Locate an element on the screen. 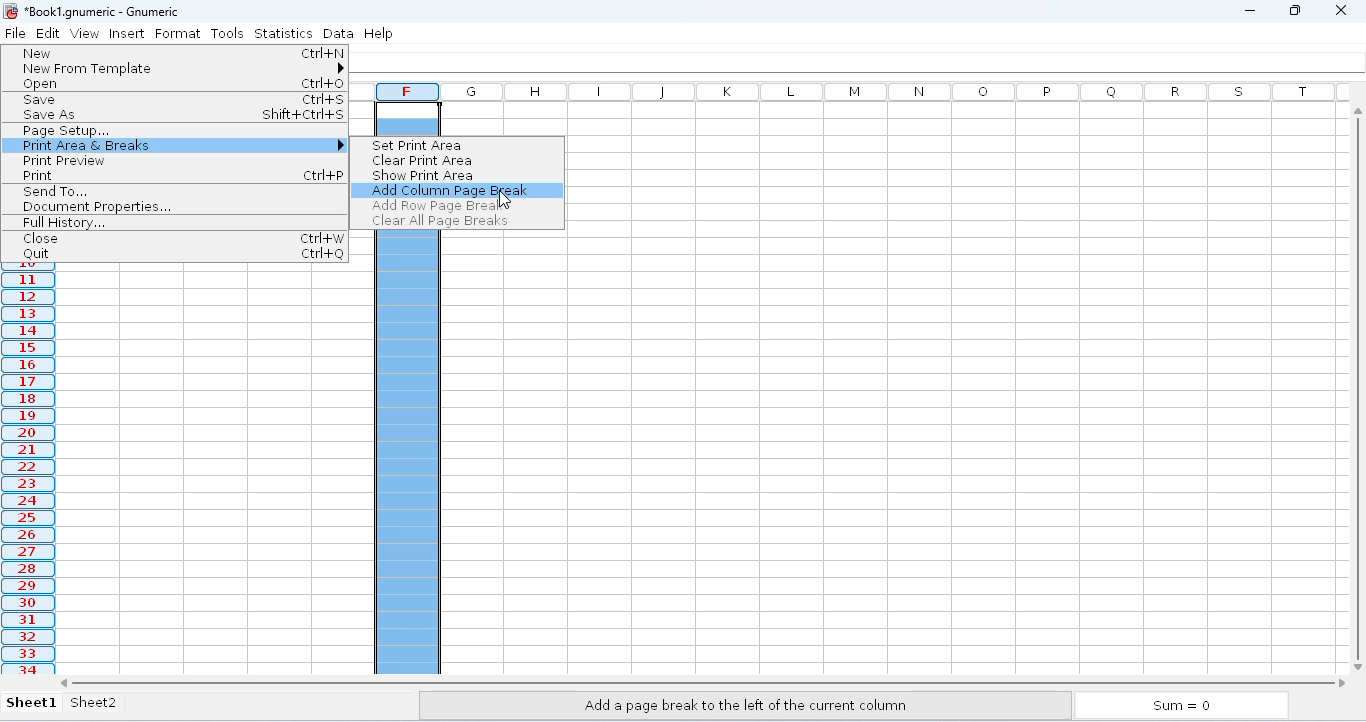 Image resolution: width=1366 pixels, height=722 pixels. print area & breaks is located at coordinates (179, 145).